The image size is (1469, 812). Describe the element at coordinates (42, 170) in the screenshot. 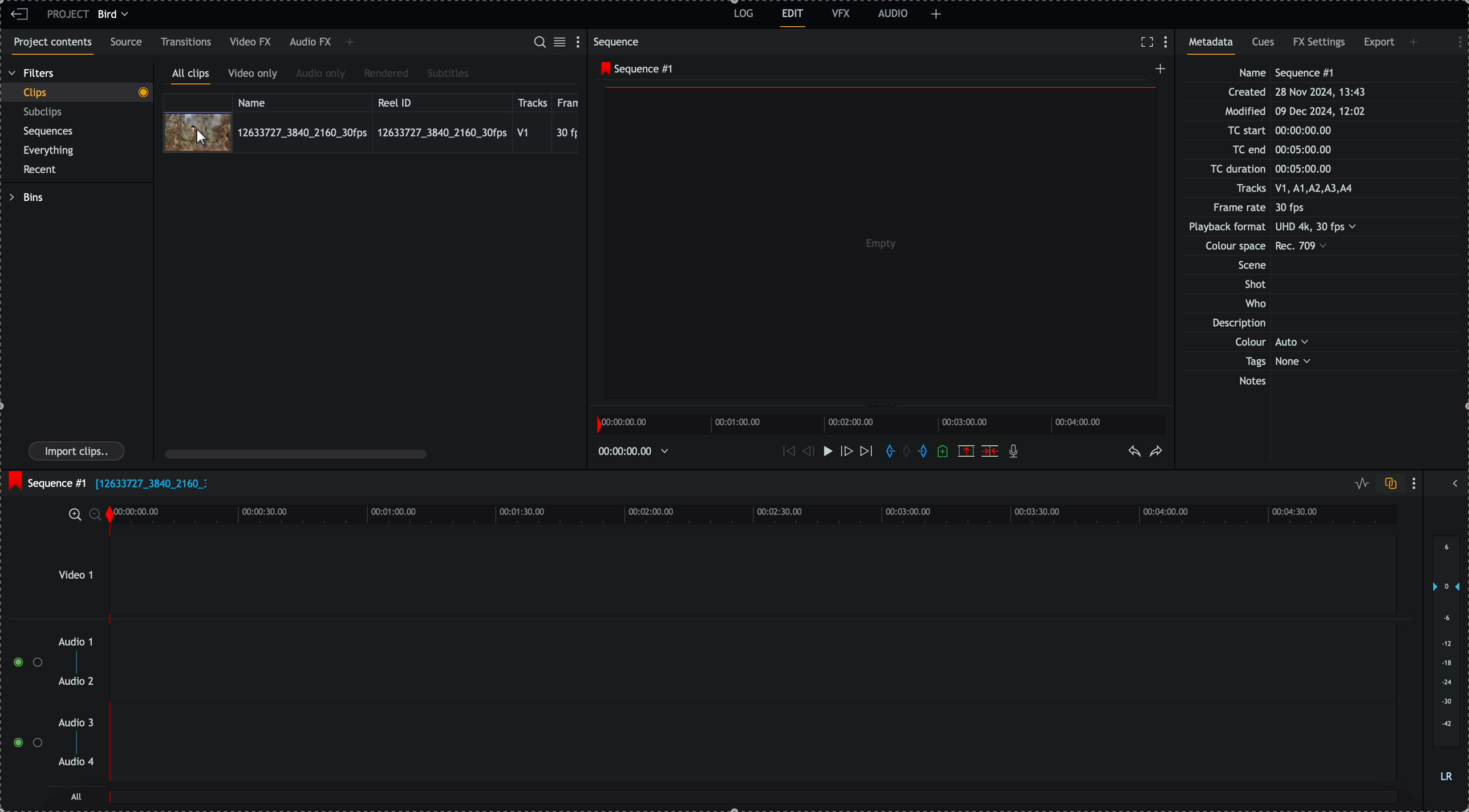

I see `recent` at that location.